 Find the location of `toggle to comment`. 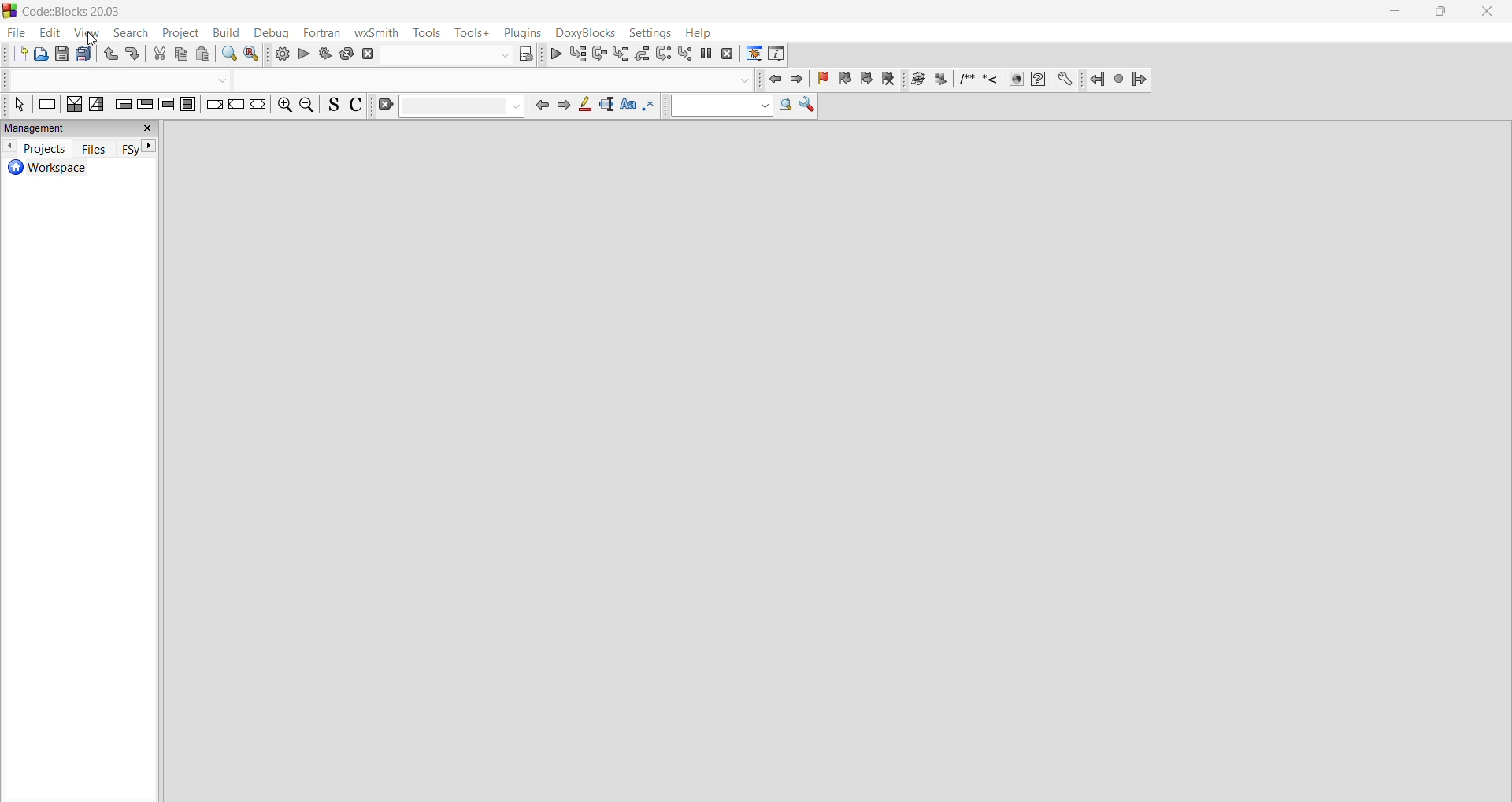

toggle to comment is located at coordinates (360, 107).